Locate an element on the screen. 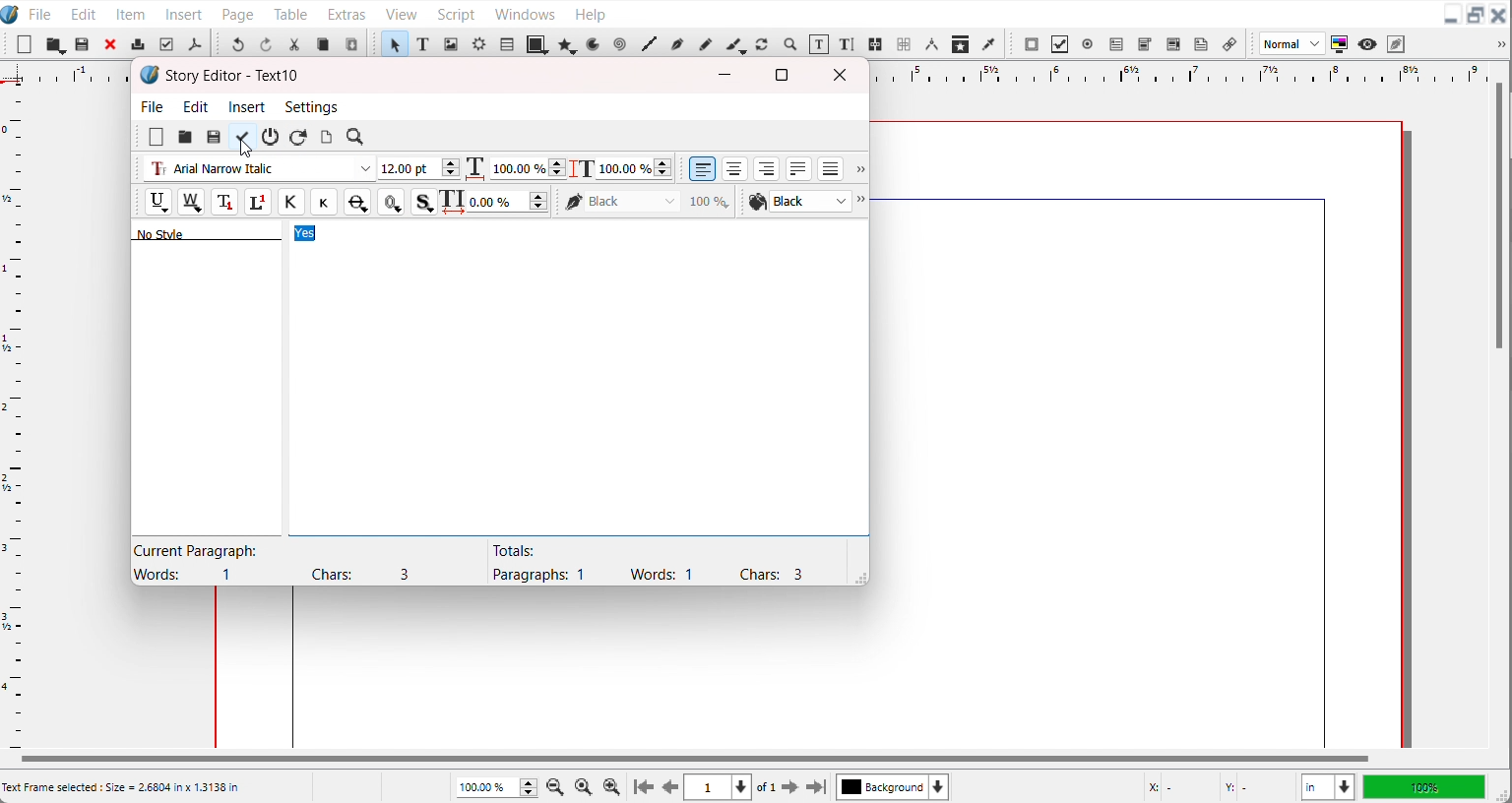 Image resolution: width=1512 pixels, height=803 pixels. File is located at coordinates (40, 13).